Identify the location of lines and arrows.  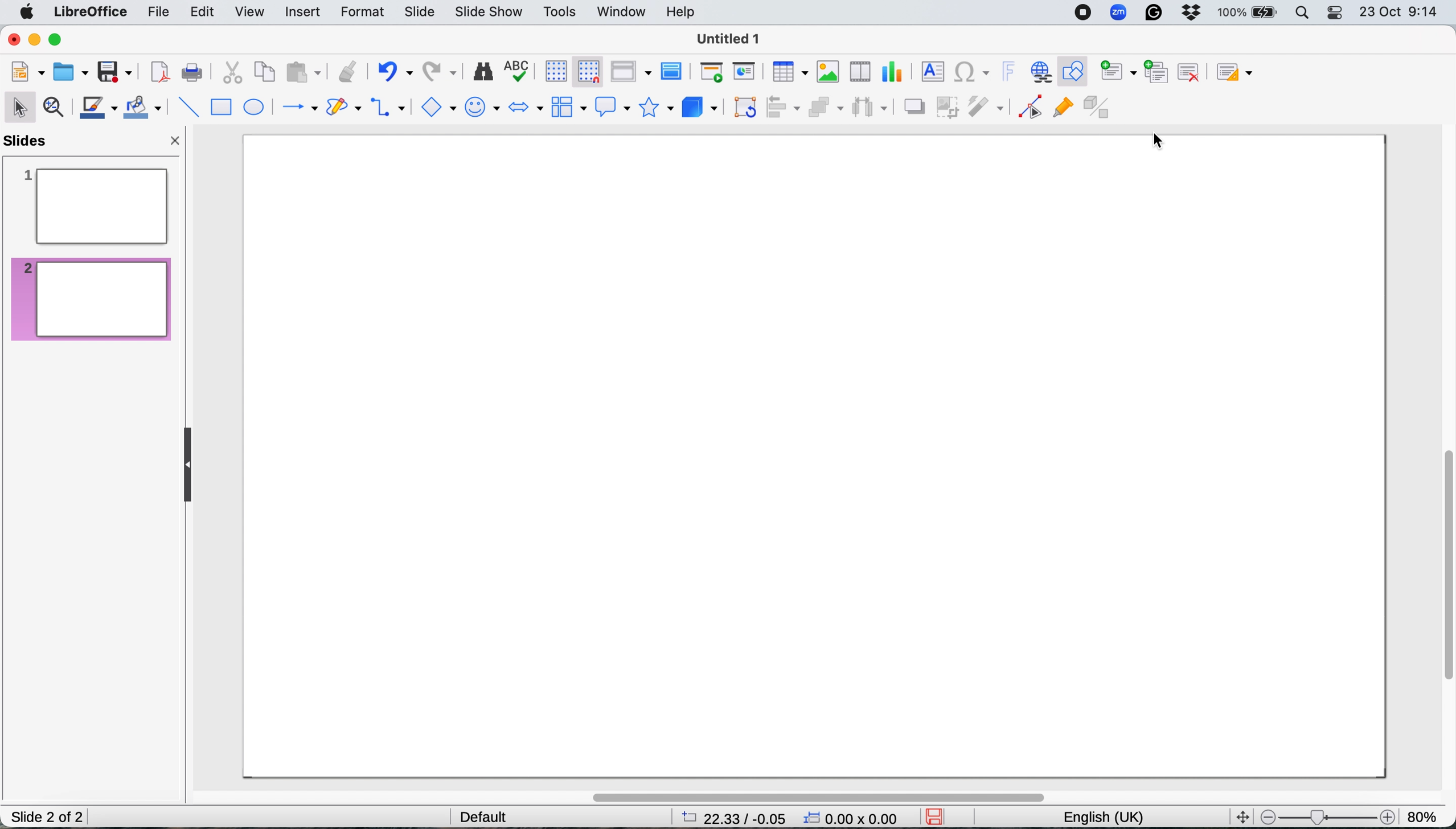
(296, 108).